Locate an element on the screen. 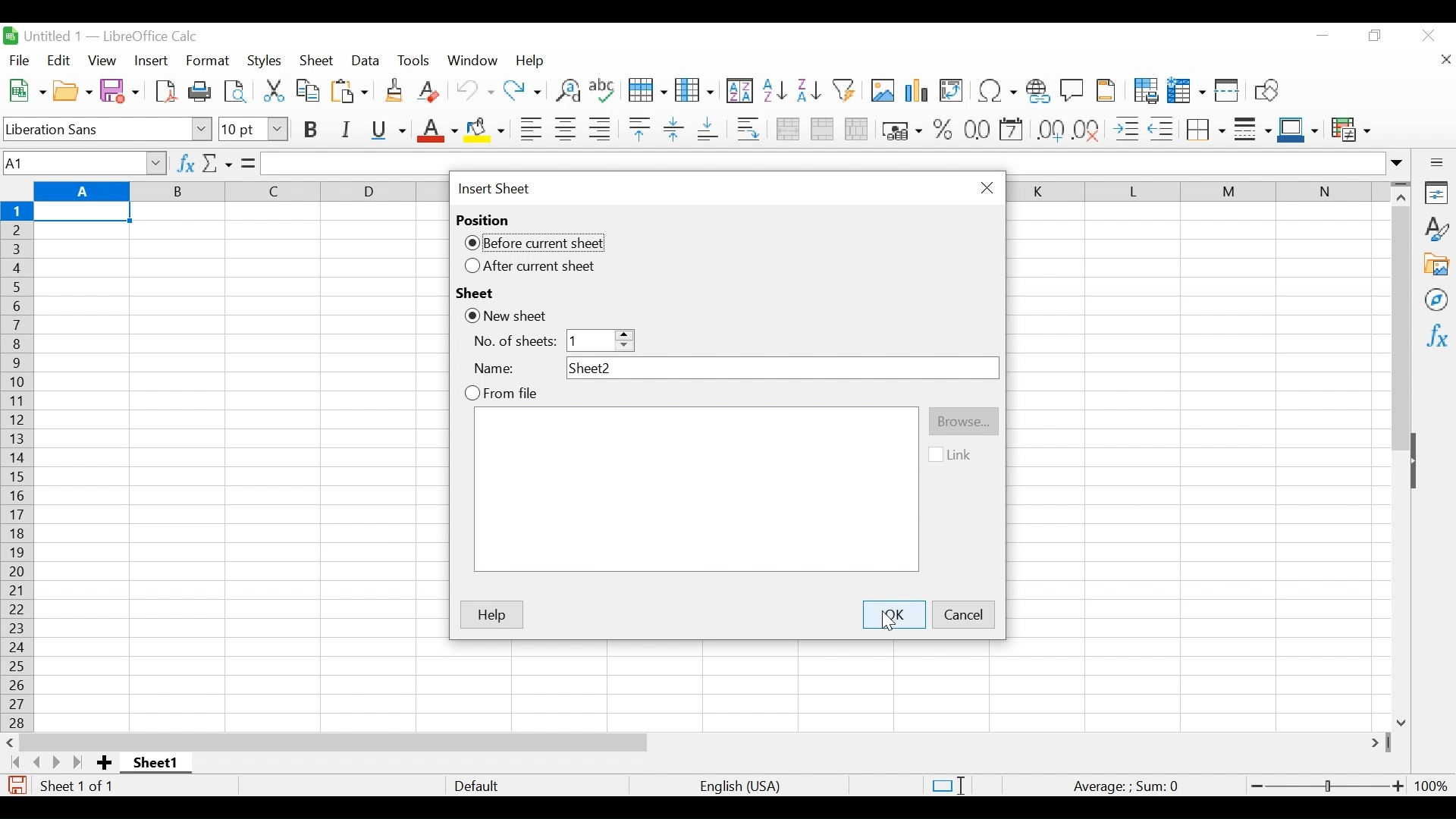 The height and width of the screenshot is (819, 1456). Zoom Slider is located at coordinates (1325, 783).